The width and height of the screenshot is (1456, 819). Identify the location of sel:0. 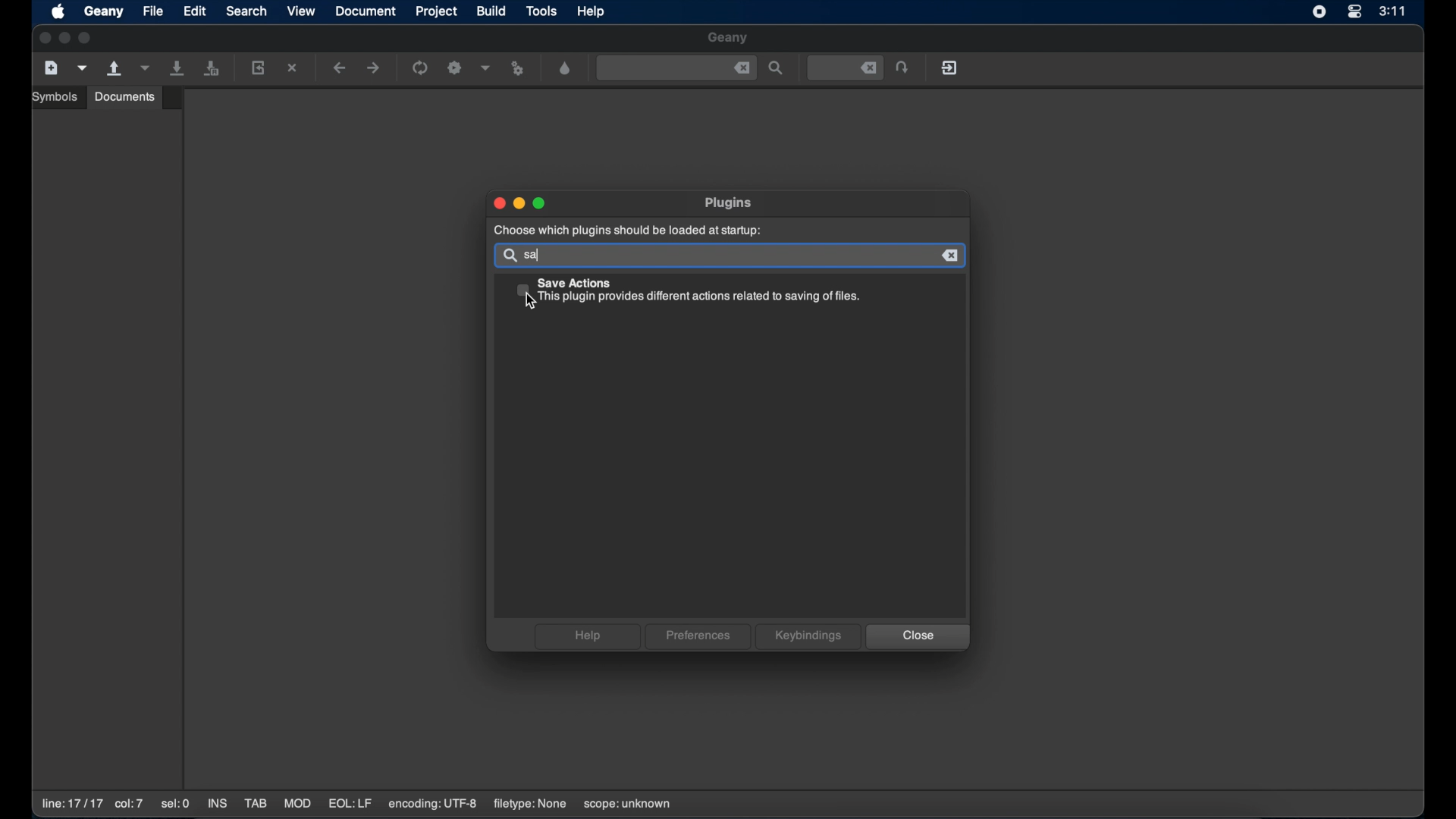
(177, 805).